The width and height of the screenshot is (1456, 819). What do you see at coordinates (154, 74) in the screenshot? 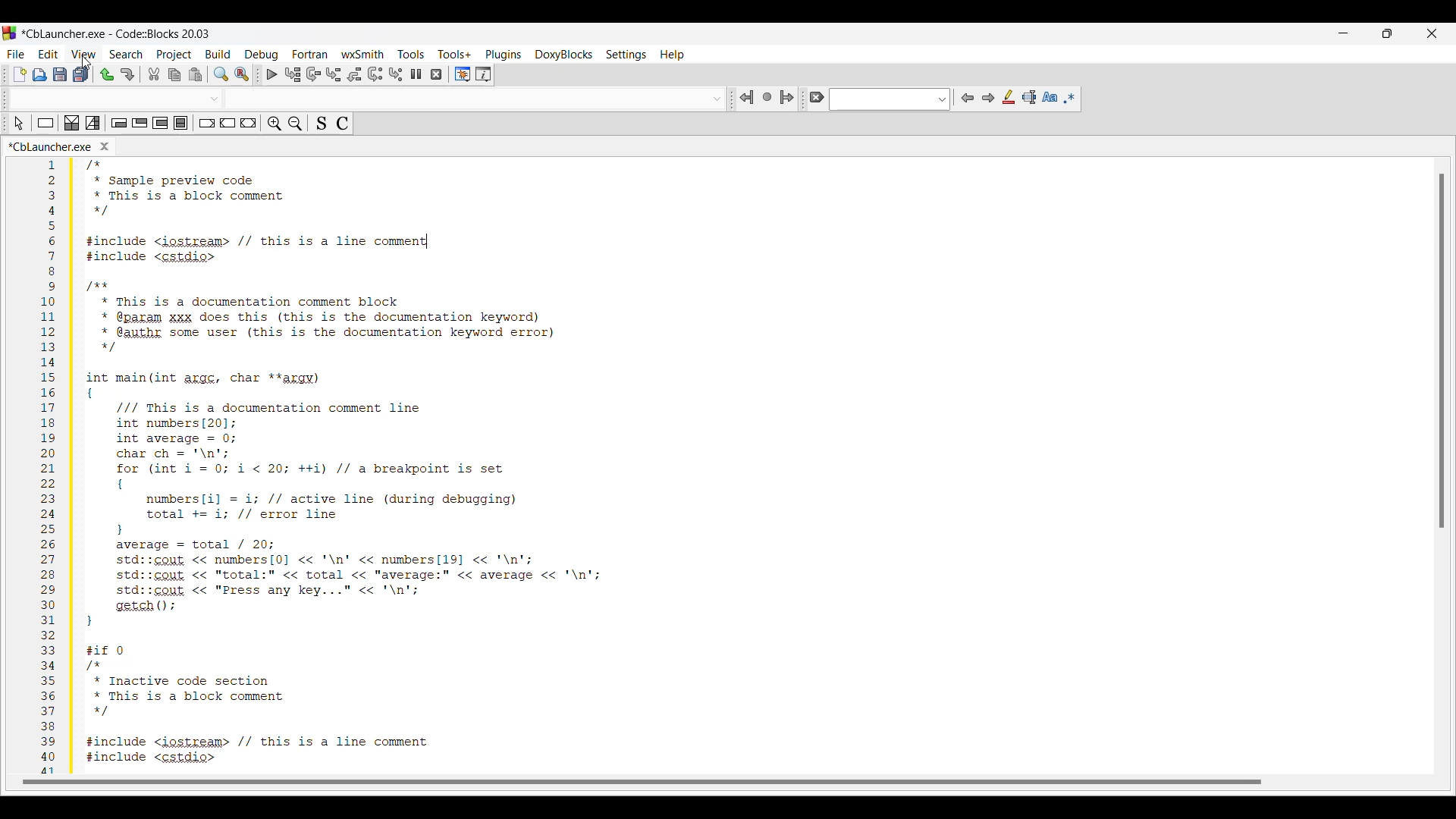
I see `Cut` at bounding box center [154, 74].